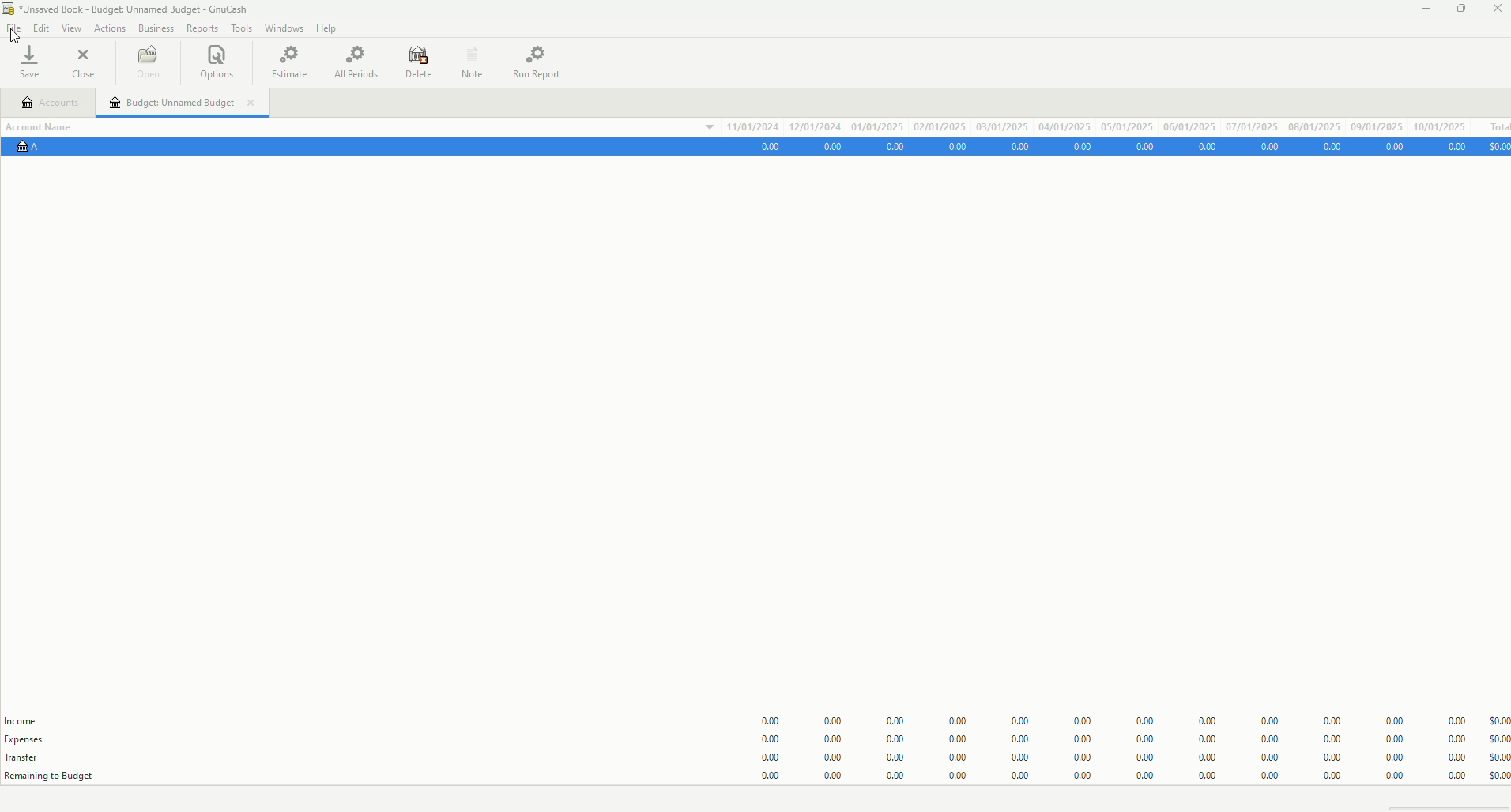 The width and height of the screenshot is (1511, 812). Describe the element at coordinates (198, 28) in the screenshot. I see `Reports` at that location.